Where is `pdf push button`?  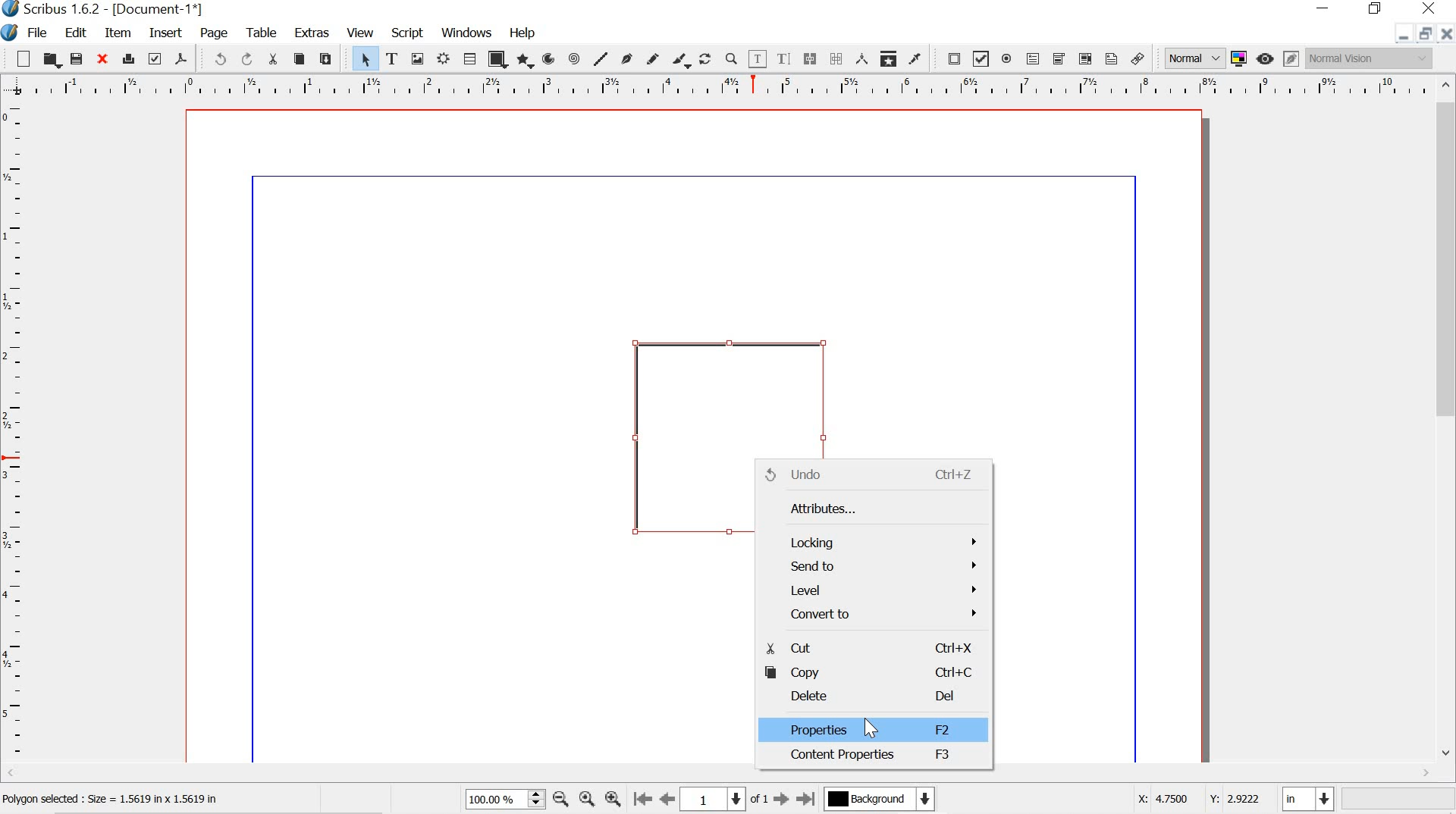 pdf push button is located at coordinates (952, 58).